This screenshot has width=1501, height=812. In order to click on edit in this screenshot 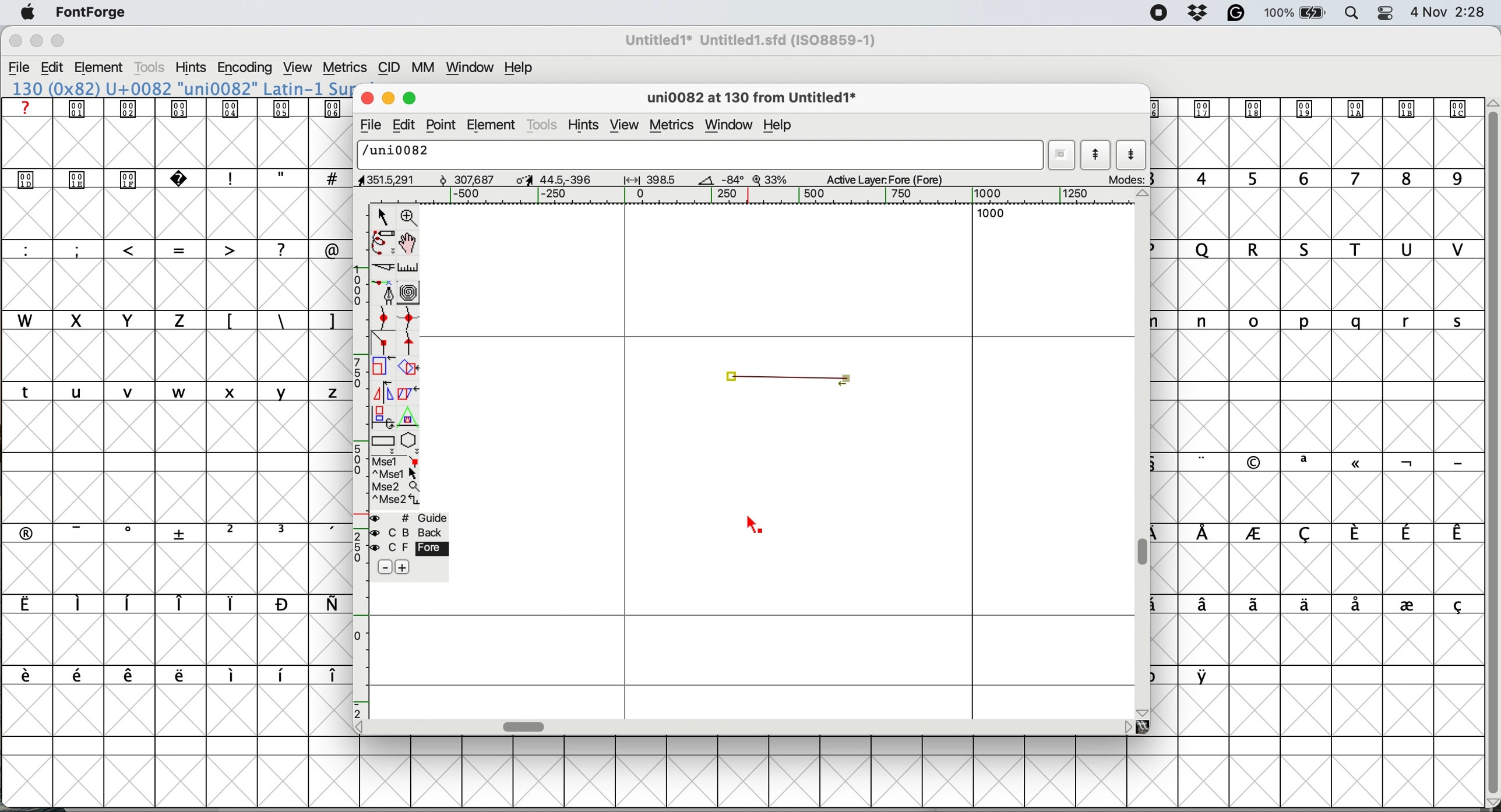, I will do `click(401, 126)`.